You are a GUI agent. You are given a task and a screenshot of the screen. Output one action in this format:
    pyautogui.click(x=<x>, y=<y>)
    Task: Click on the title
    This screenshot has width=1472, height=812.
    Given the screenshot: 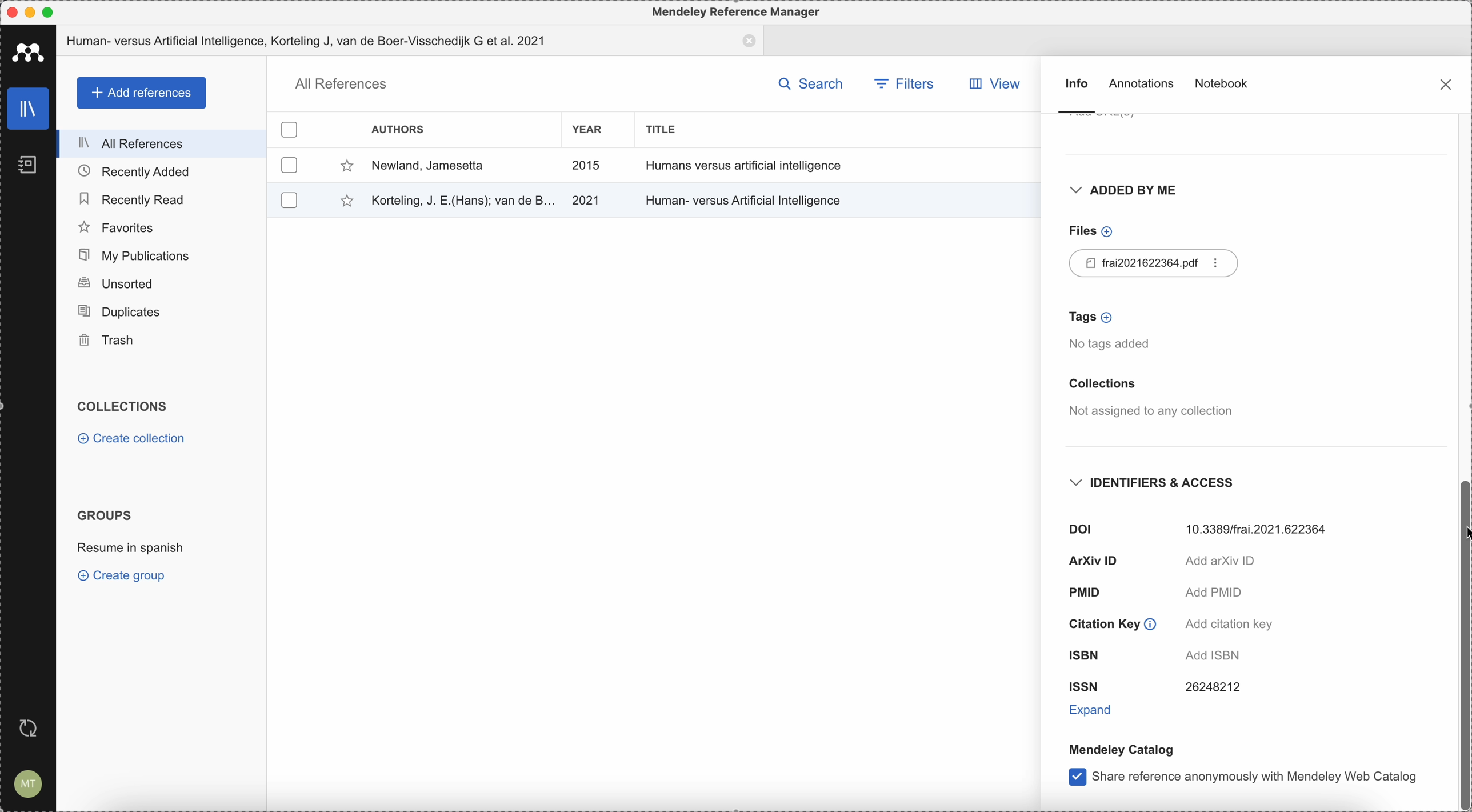 What is the action you would take?
    pyautogui.click(x=666, y=129)
    